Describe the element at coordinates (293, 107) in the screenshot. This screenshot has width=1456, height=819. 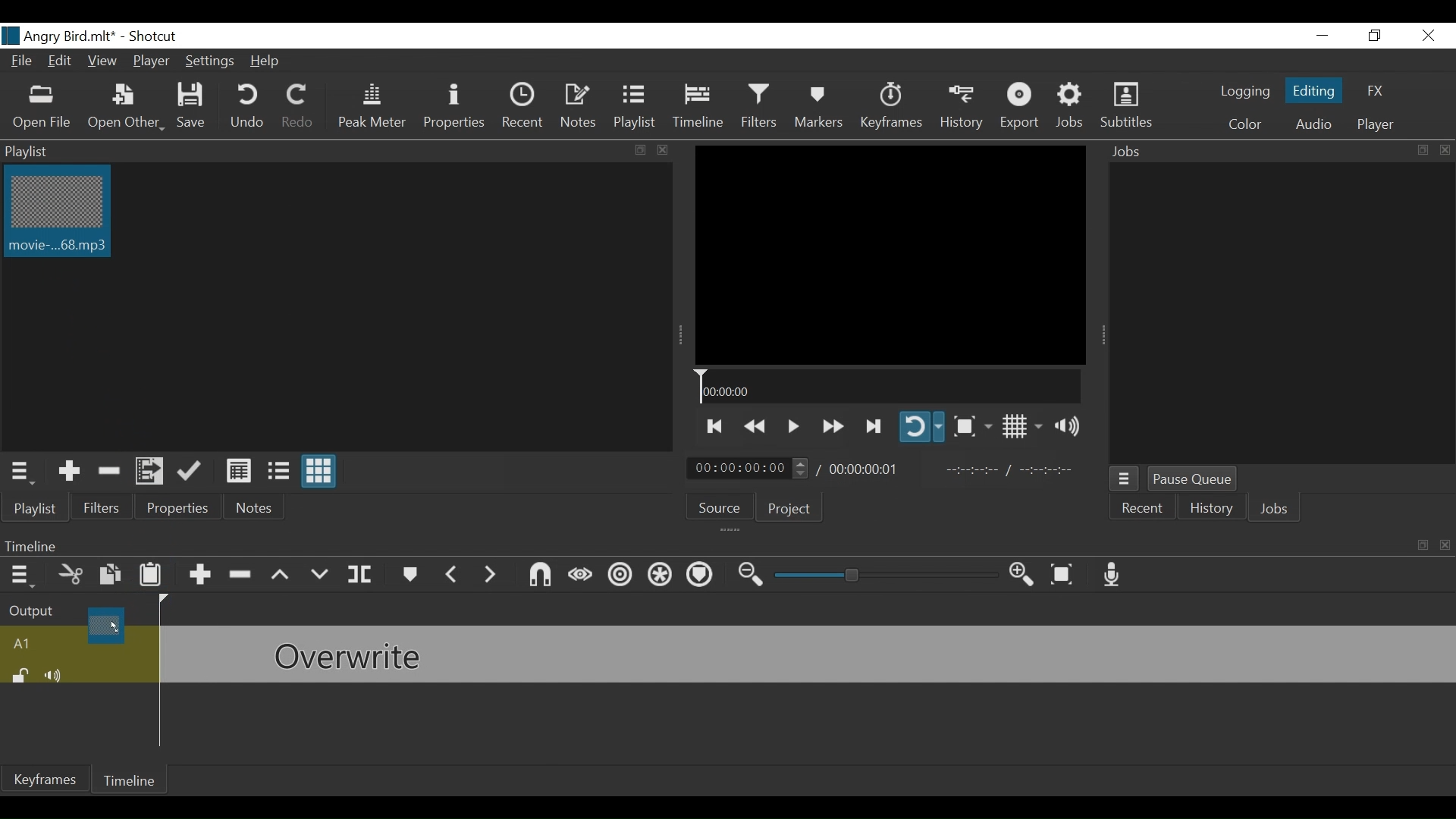
I see `Redo` at that location.